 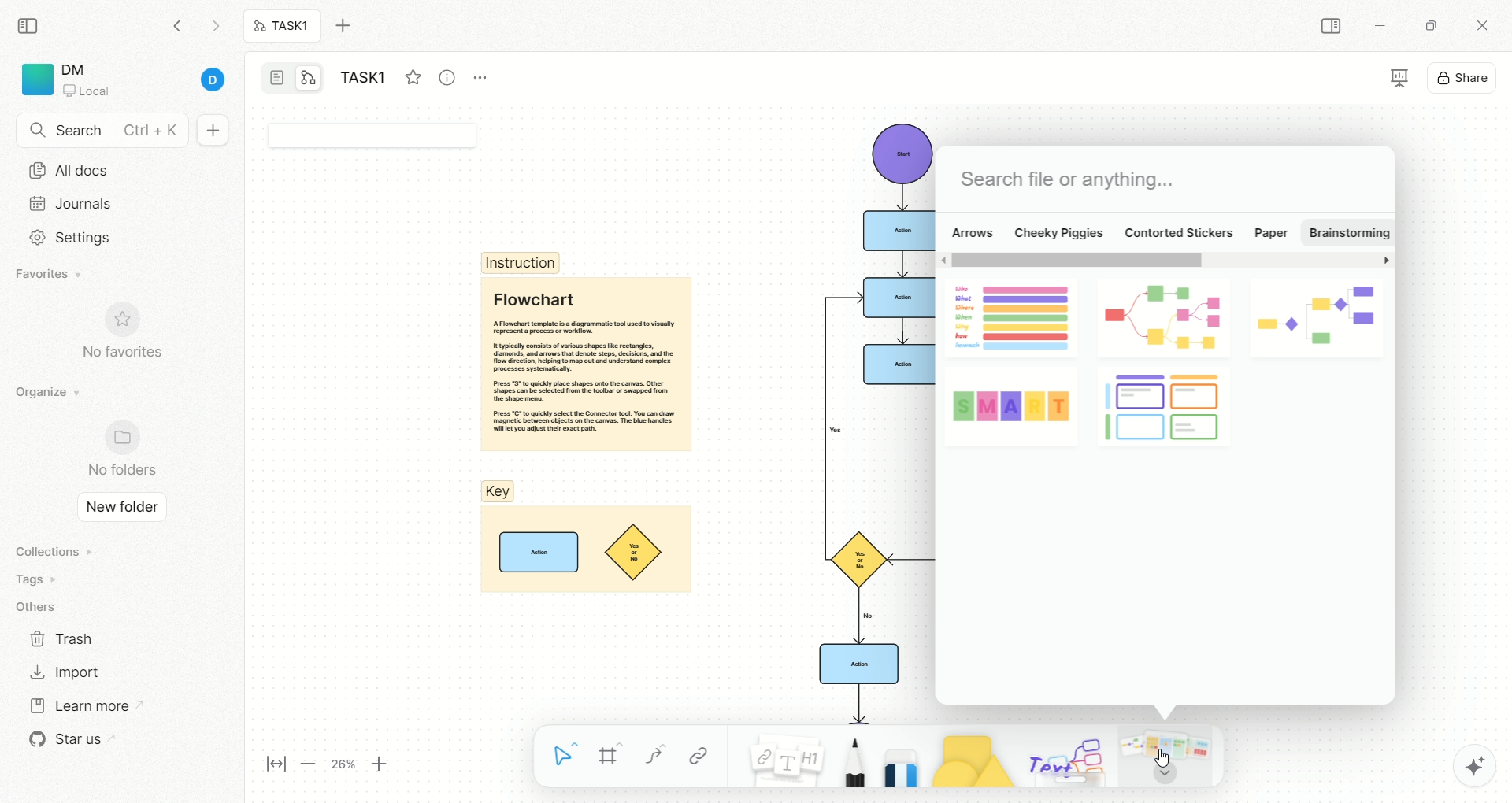 I want to click on scroll bar, so click(x=1165, y=262).